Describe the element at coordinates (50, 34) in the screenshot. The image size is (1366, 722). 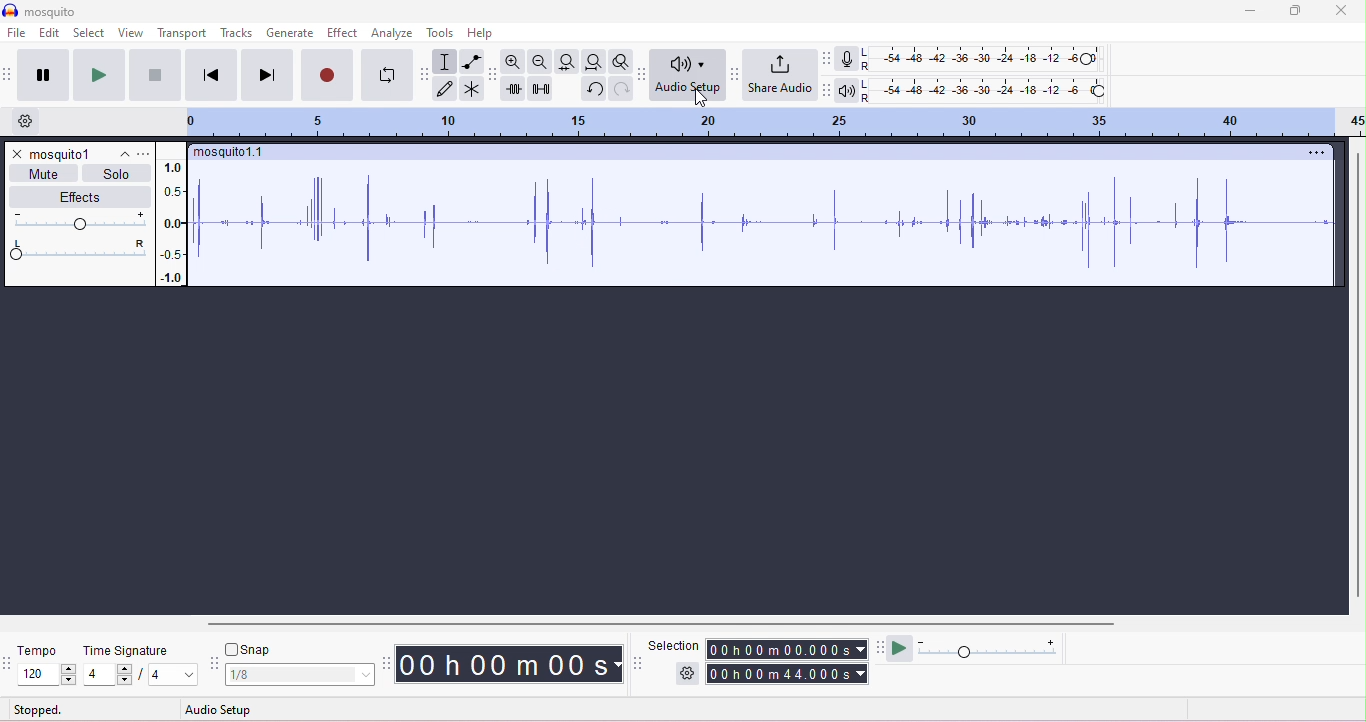
I see `edit` at that location.